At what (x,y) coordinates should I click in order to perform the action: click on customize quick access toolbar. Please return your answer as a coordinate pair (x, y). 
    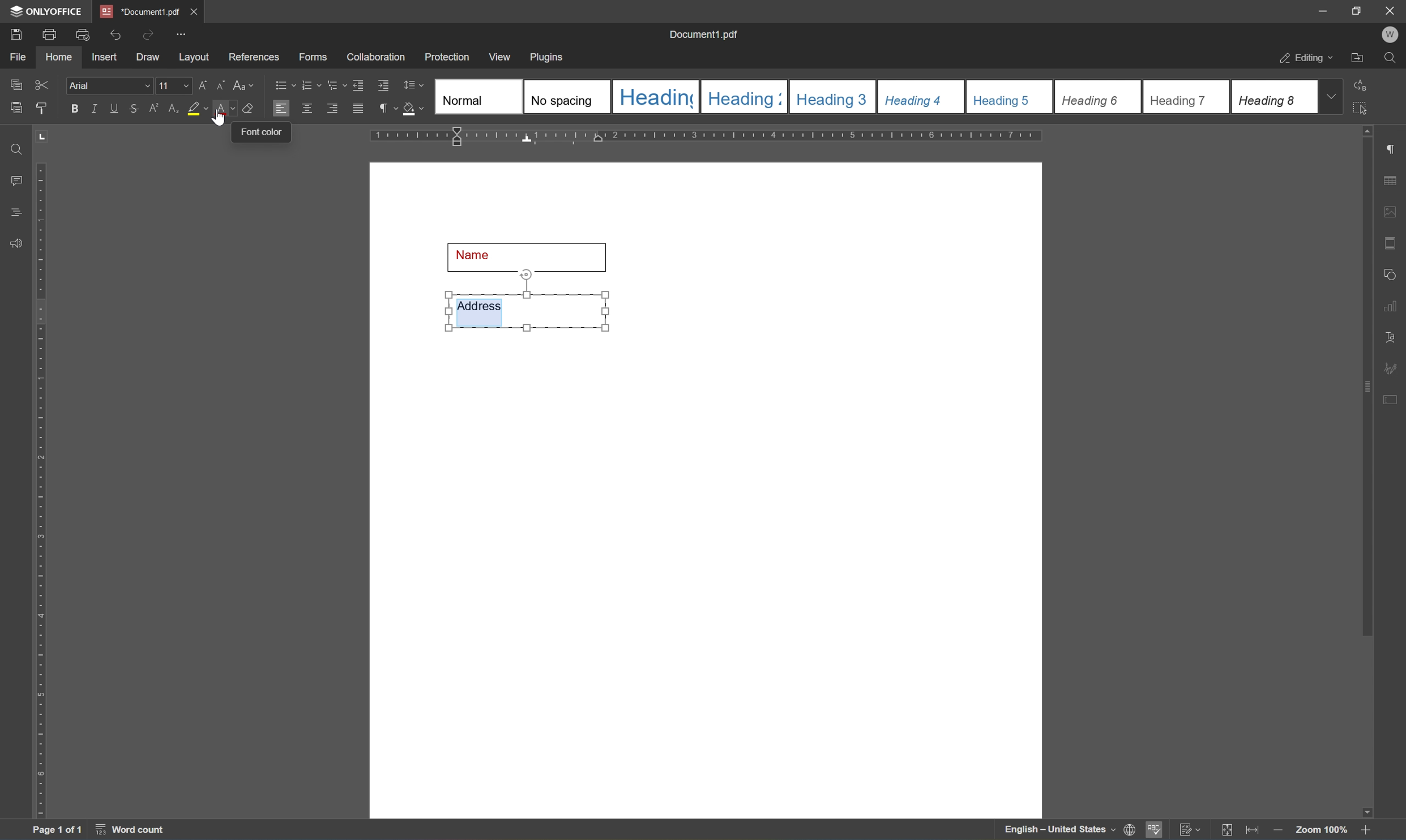
    Looking at the image, I should click on (181, 34).